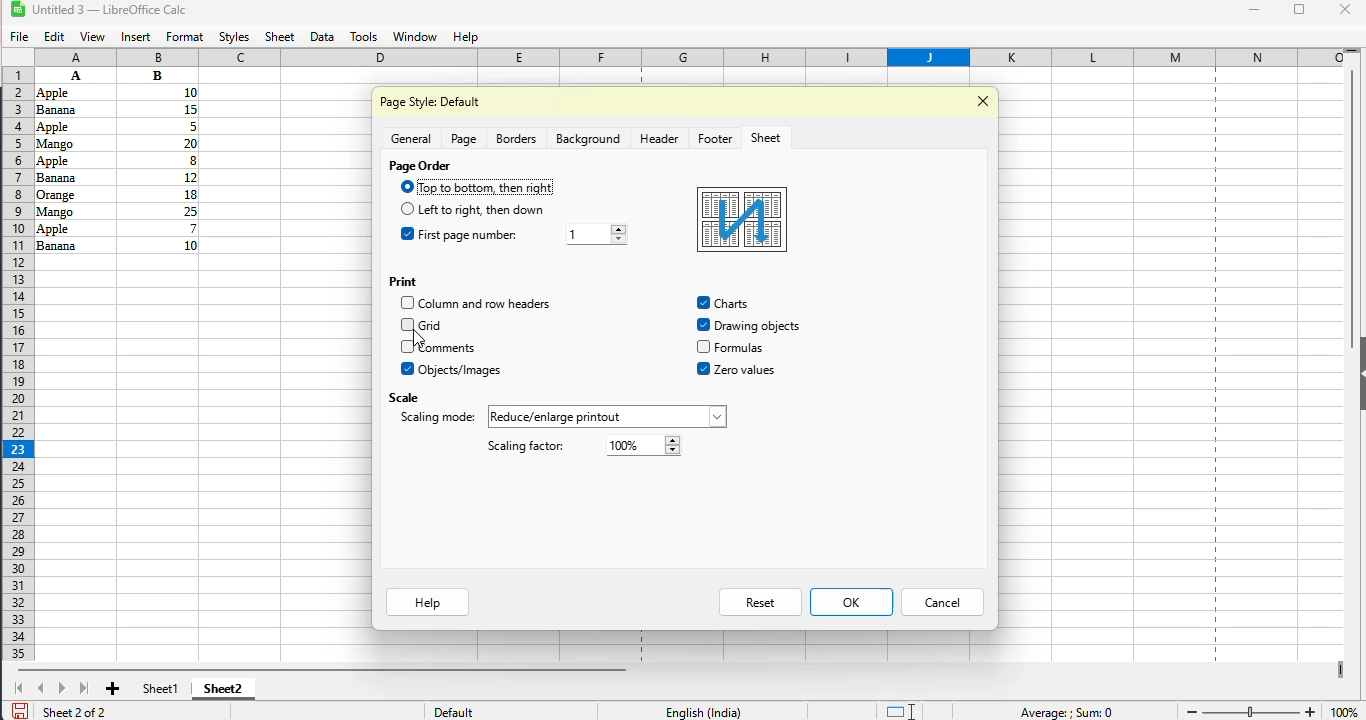 Image resolution: width=1366 pixels, height=720 pixels. What do you see at coordinates (1251, 710) in the screenshot?
I see `change zoom level` at bounding box center [1251, 710].